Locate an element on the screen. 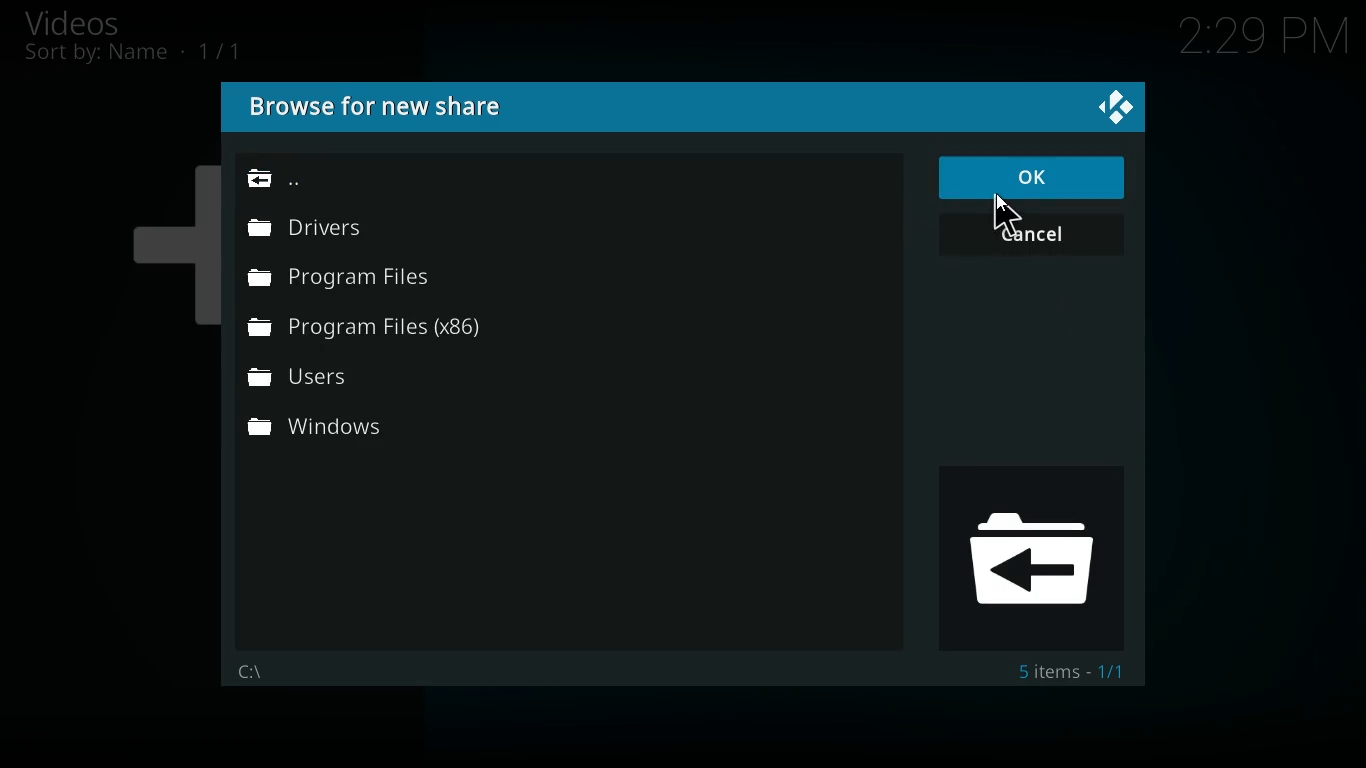  users is located at coordinates (361, 376).